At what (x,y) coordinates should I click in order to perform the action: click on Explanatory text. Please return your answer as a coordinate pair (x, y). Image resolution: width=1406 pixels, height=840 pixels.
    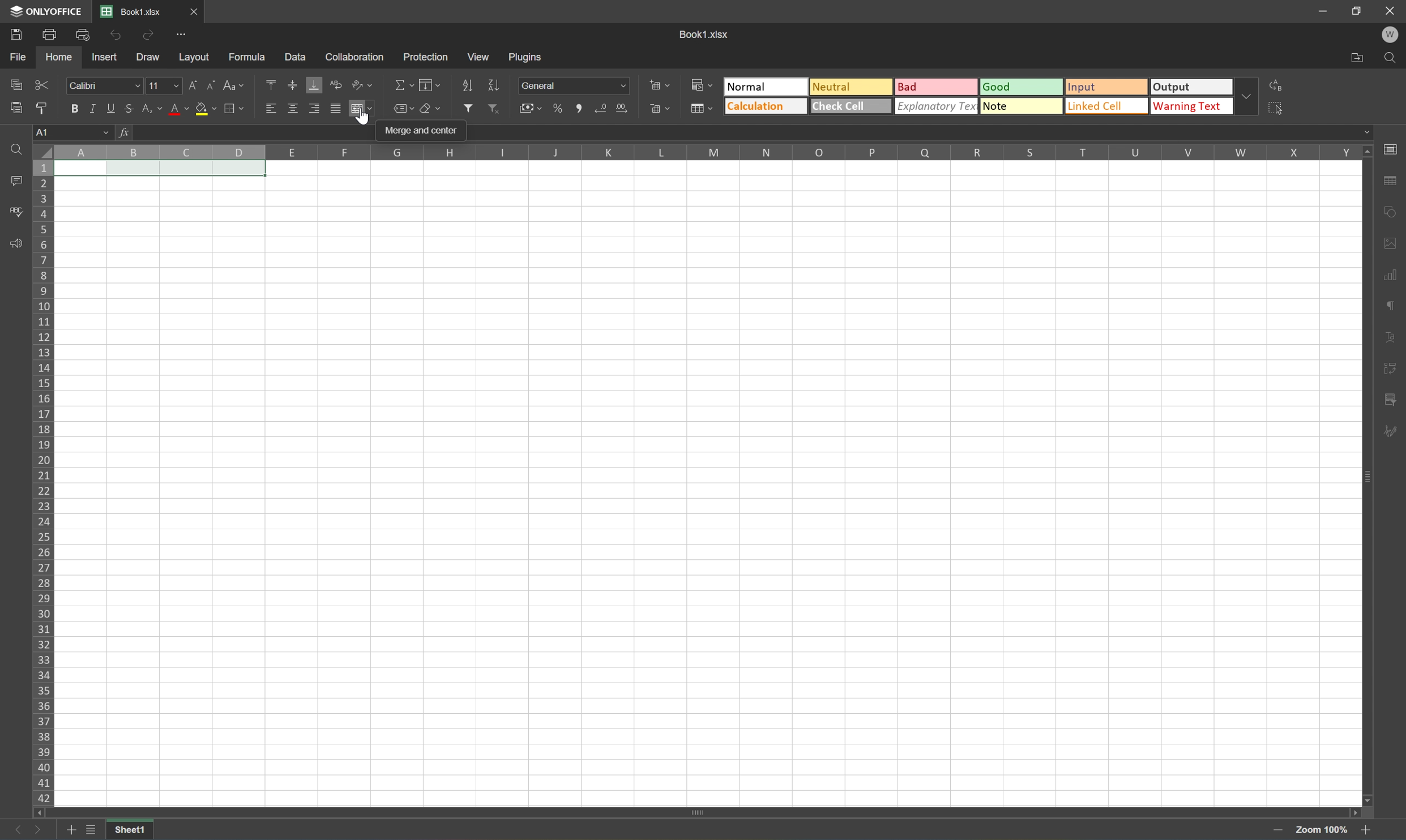
    Looking at the image, I should click on (937, 105).